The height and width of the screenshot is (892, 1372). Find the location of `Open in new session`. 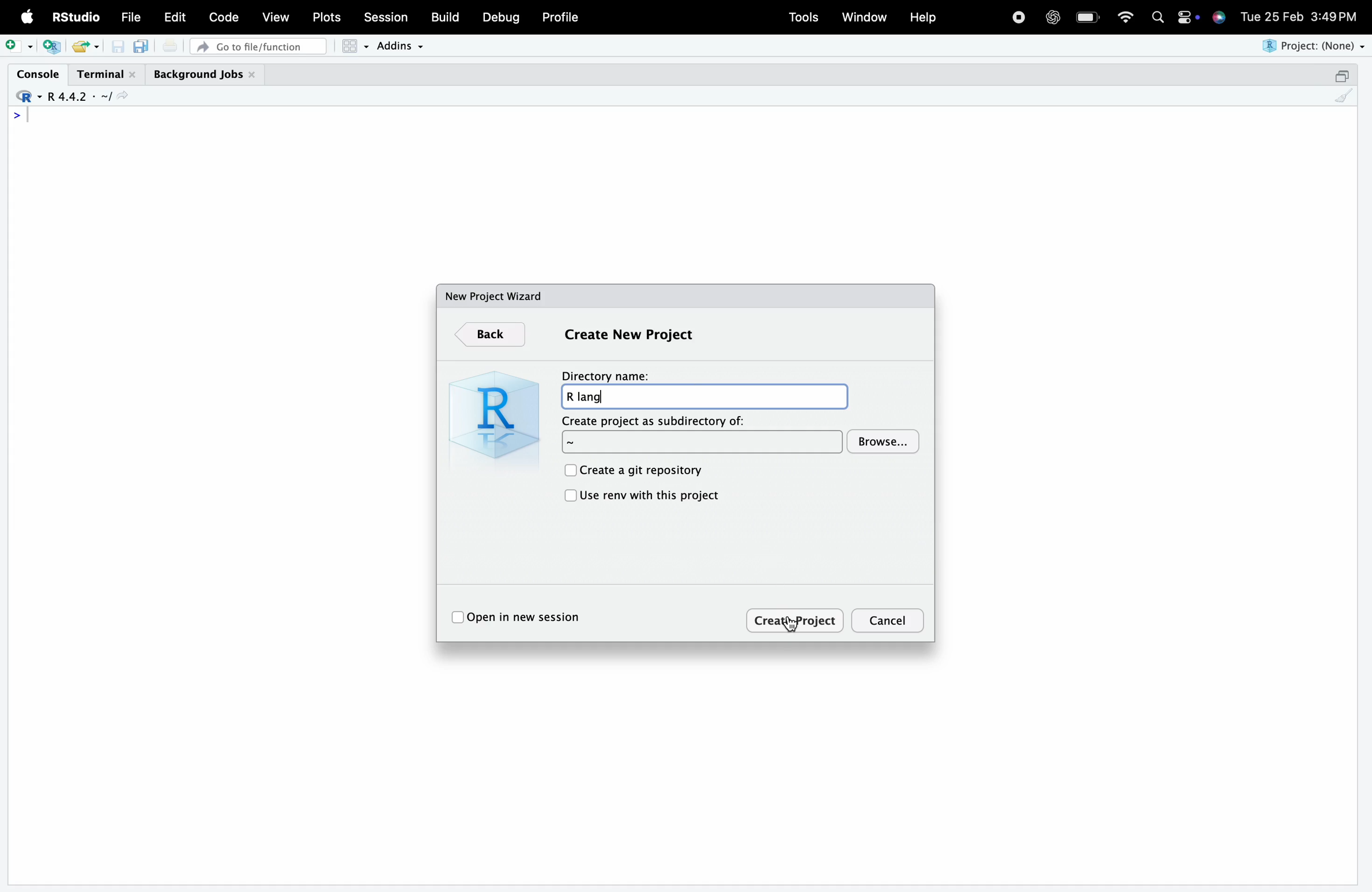

Open in new session is located at coordinates (529, 617).